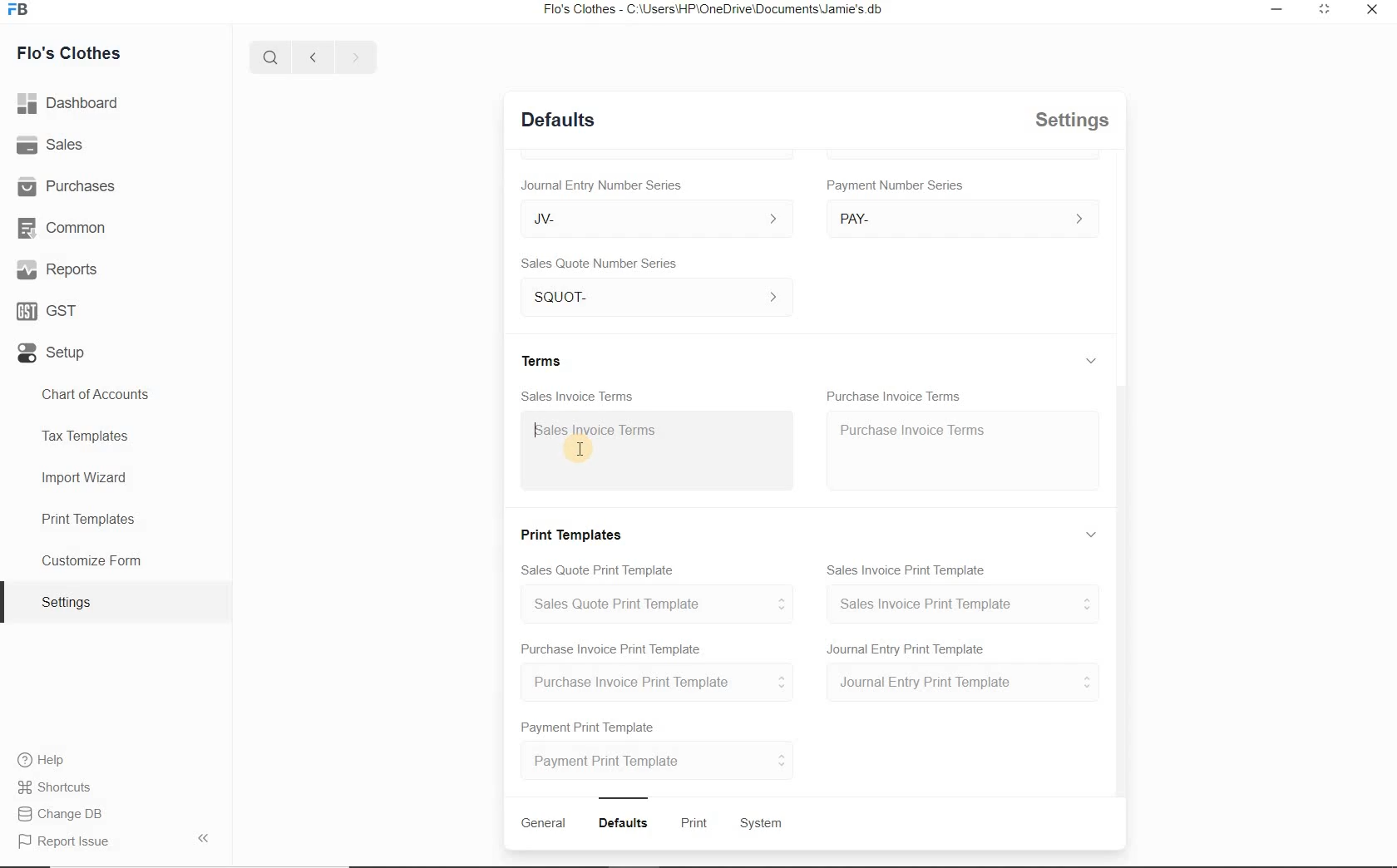 This screenshot has height=868, width=1397. What do you see at coordinates (575, 532) in the screenshot?
I see `Print Templates` at bounding box center [575, 532].